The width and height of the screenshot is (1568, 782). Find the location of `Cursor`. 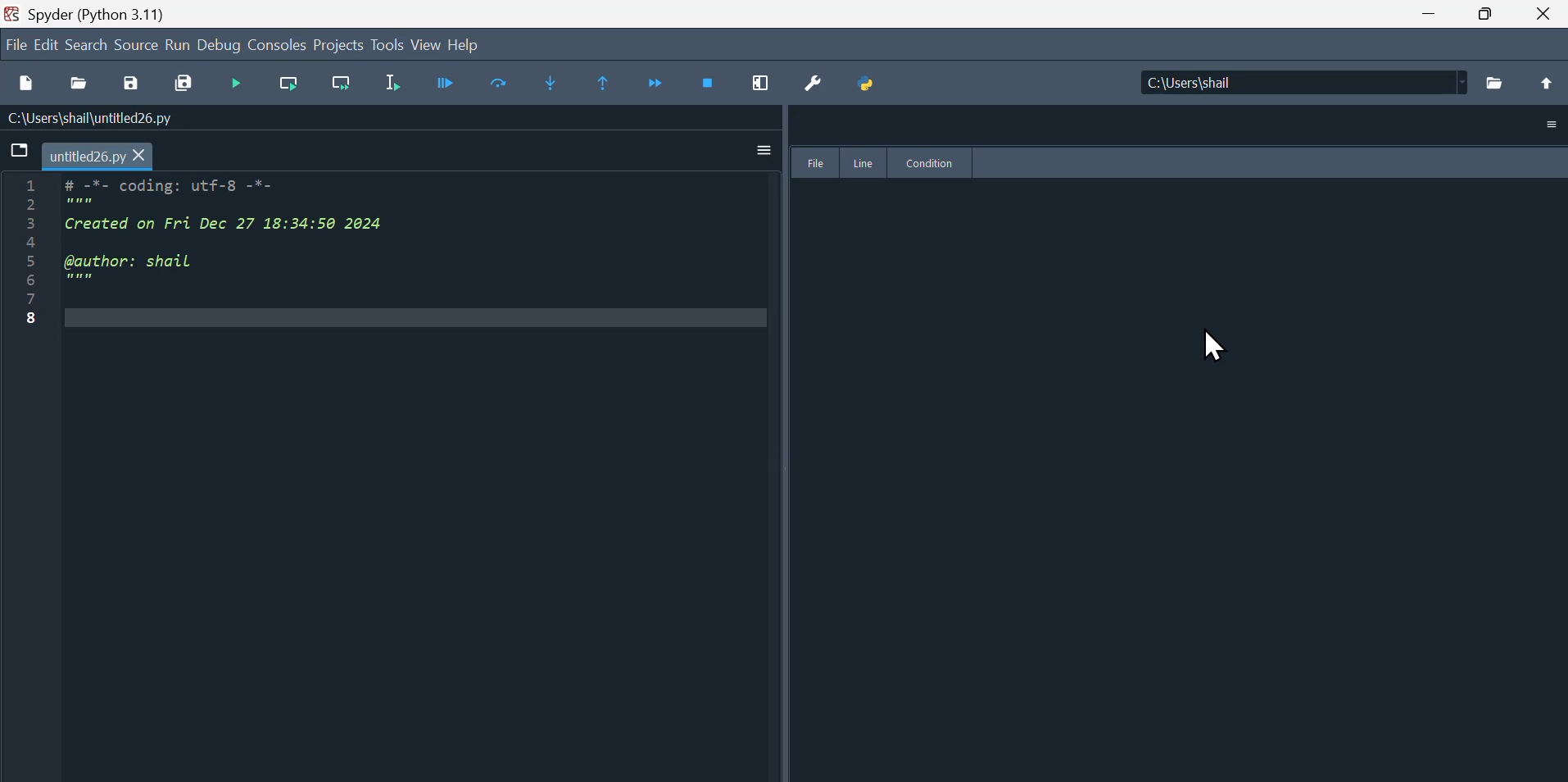

Cursor is located at coordinates (1214, 348).